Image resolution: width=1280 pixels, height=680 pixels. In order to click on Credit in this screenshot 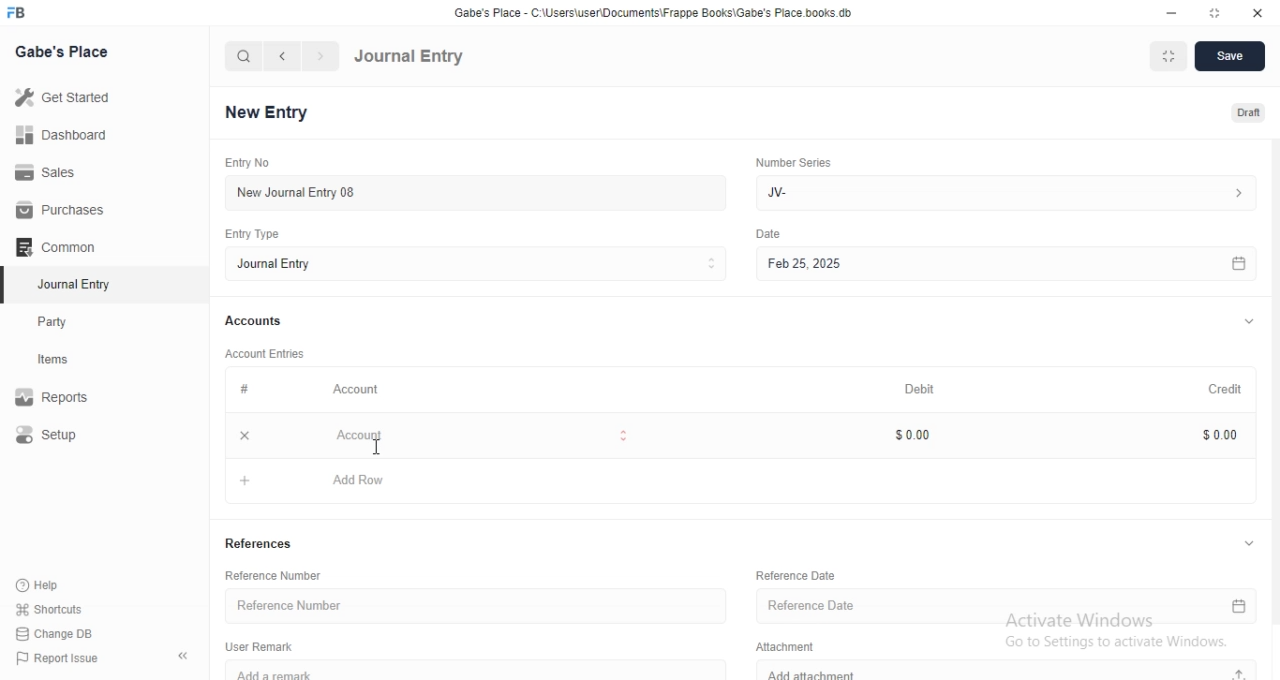, I will do `click(1216, 389)`.